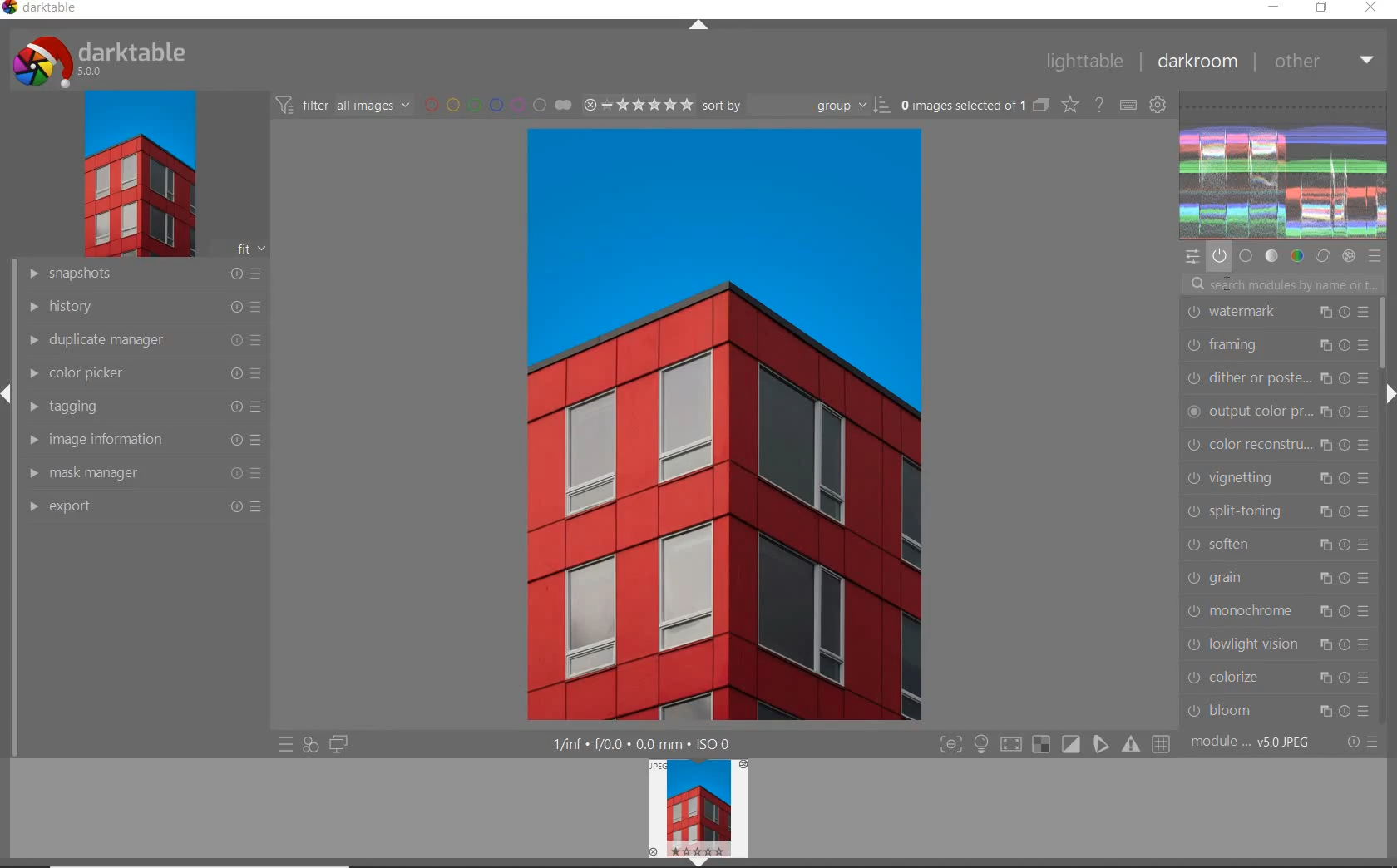  Describe the element at coordinates (1277, 644) in the screenshot. I see `lowlight vision` at that location.